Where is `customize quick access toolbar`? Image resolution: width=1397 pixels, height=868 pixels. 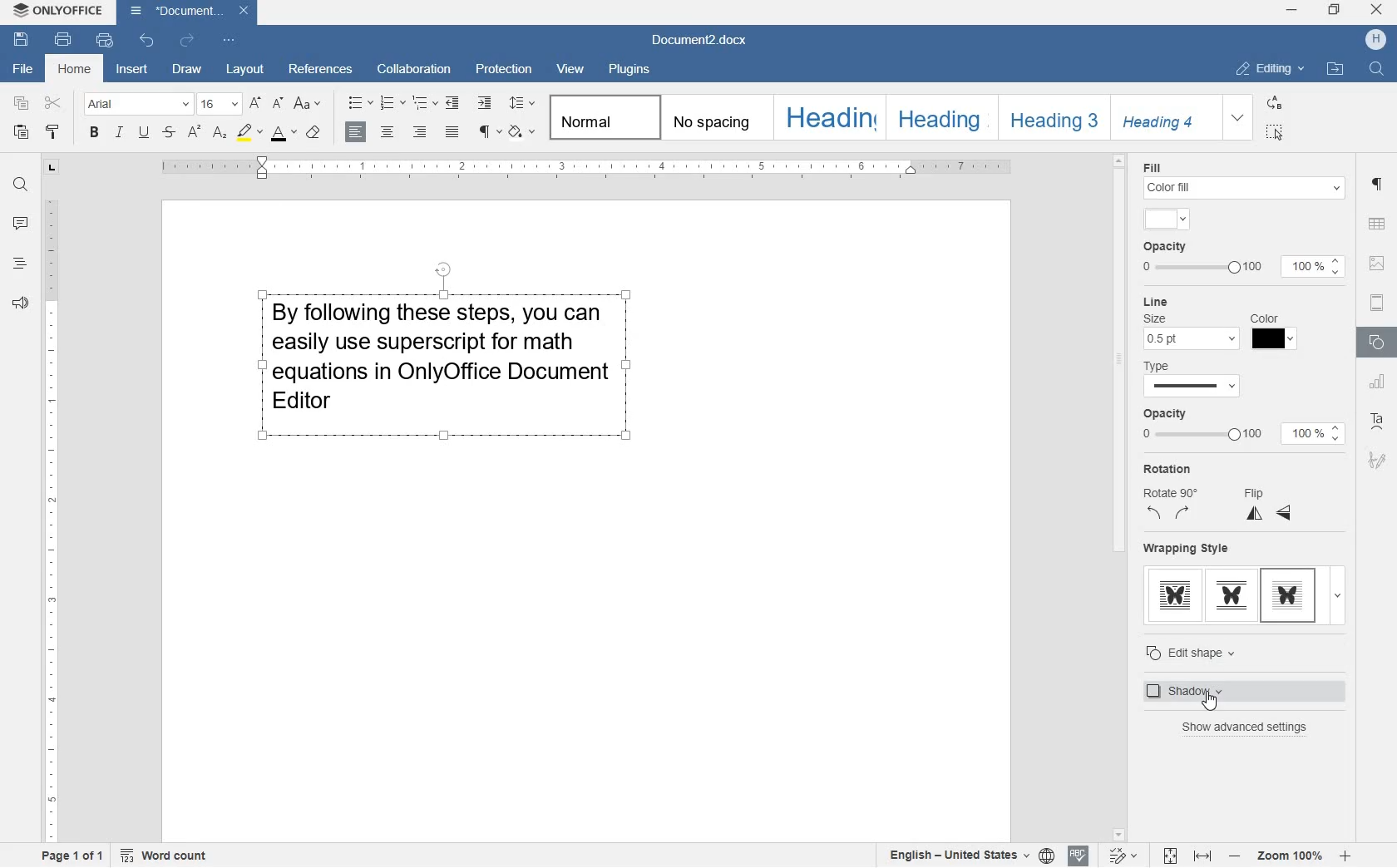 customize quick access toolbar is located at coordinates (230, 41).